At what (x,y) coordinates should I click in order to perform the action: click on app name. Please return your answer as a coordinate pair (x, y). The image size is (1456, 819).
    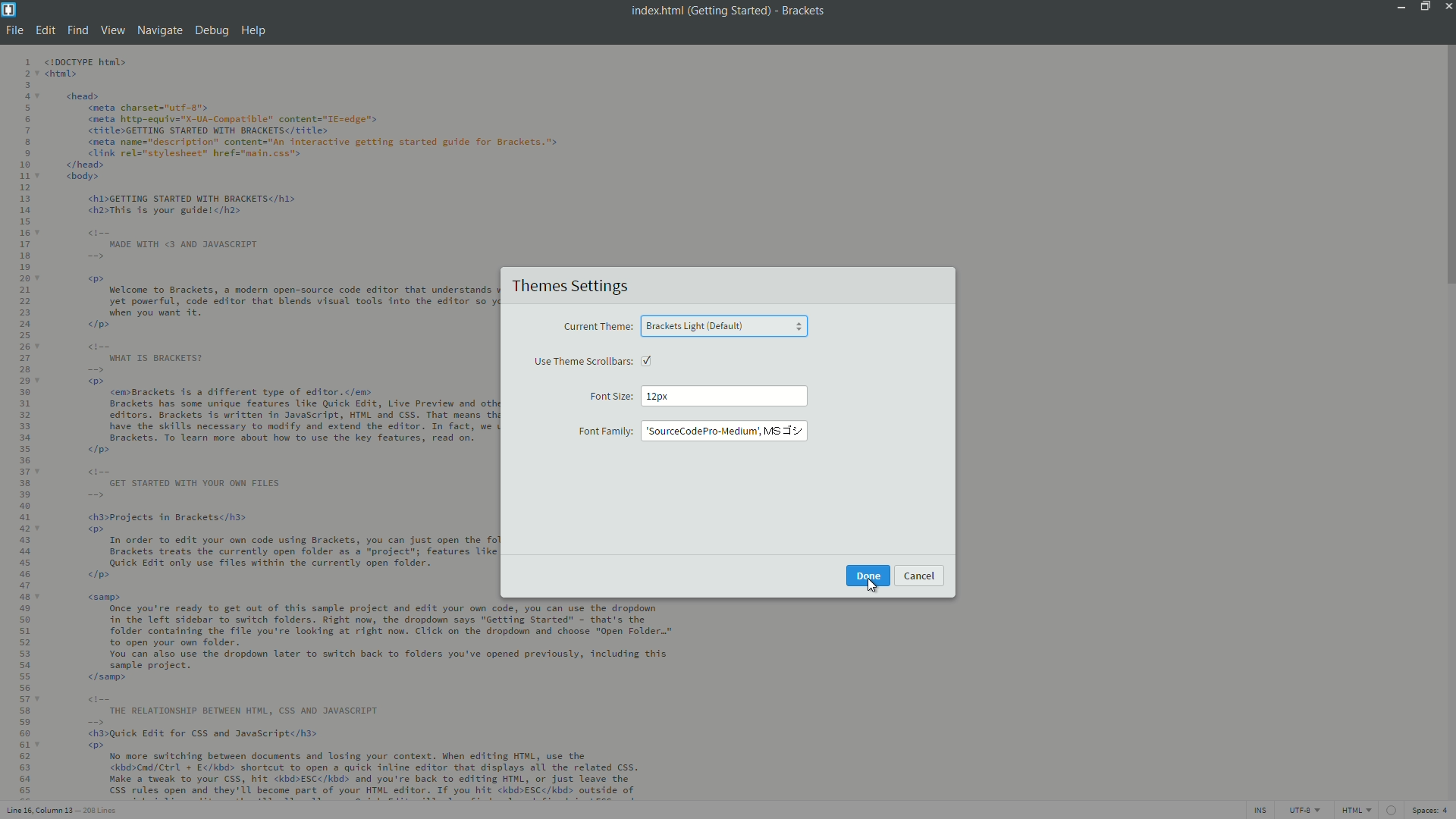
    Looking at the image, I should click on (804, 11).